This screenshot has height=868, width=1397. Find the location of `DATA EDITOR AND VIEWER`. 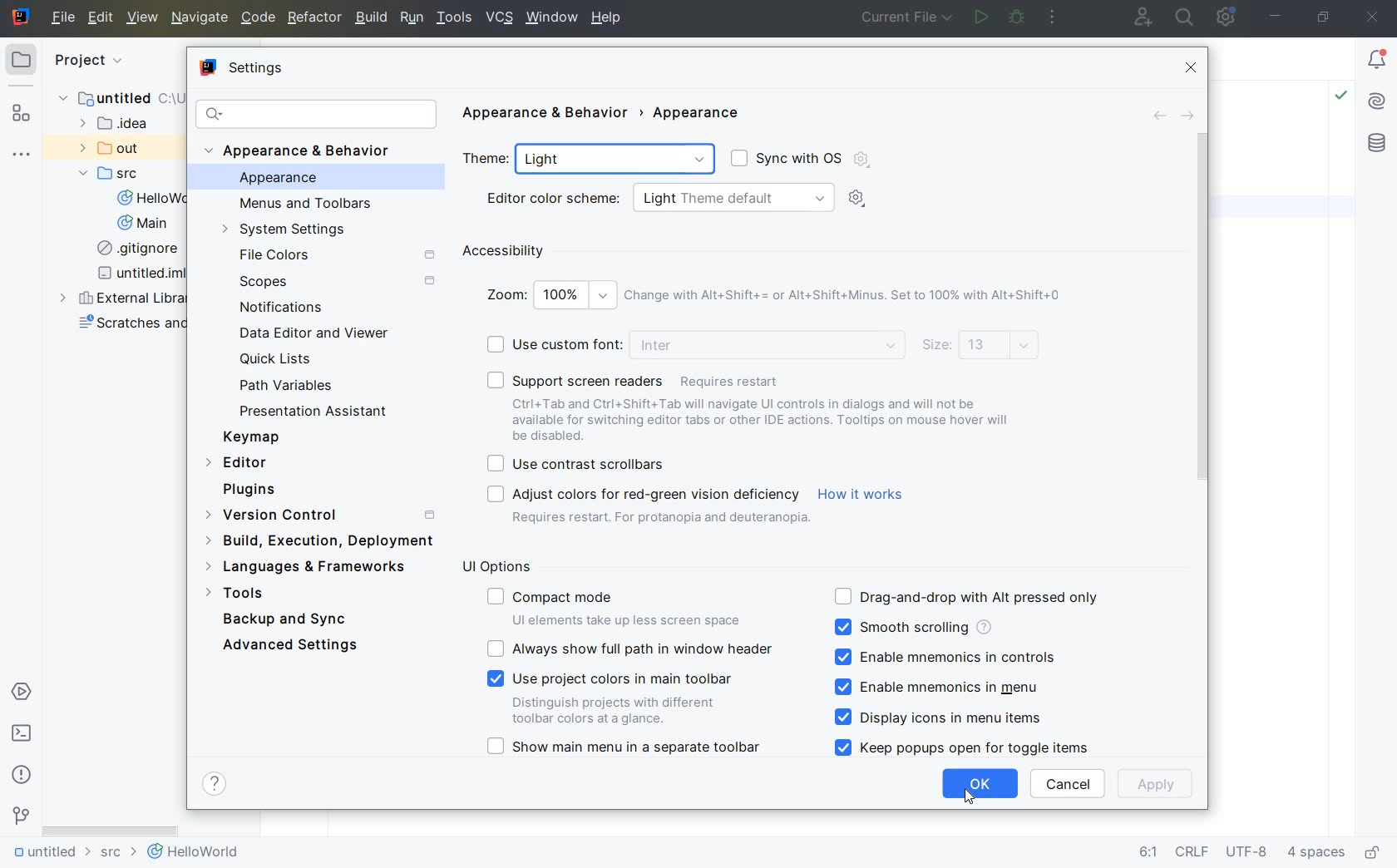

DATA EDITOR AND VIEWER is located at coordinates (313, 333).